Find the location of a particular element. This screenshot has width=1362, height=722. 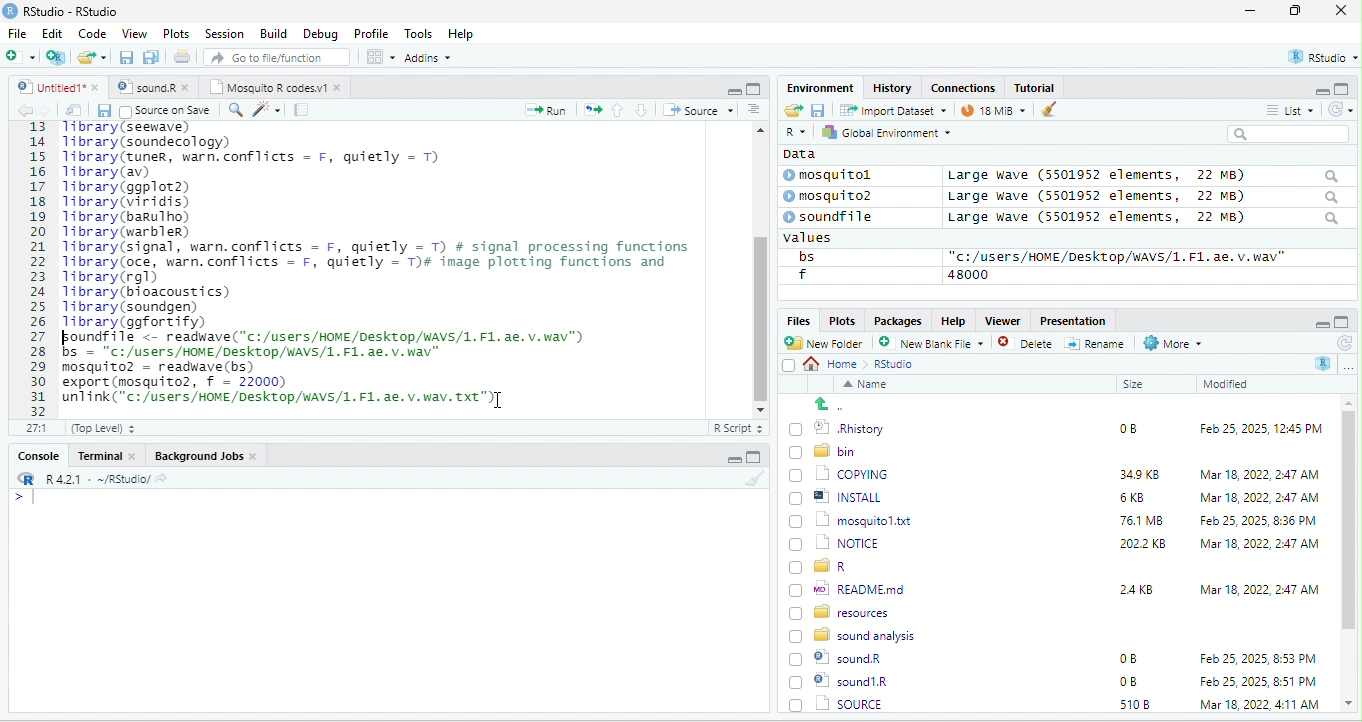

view is located at coordinates (380, 57).